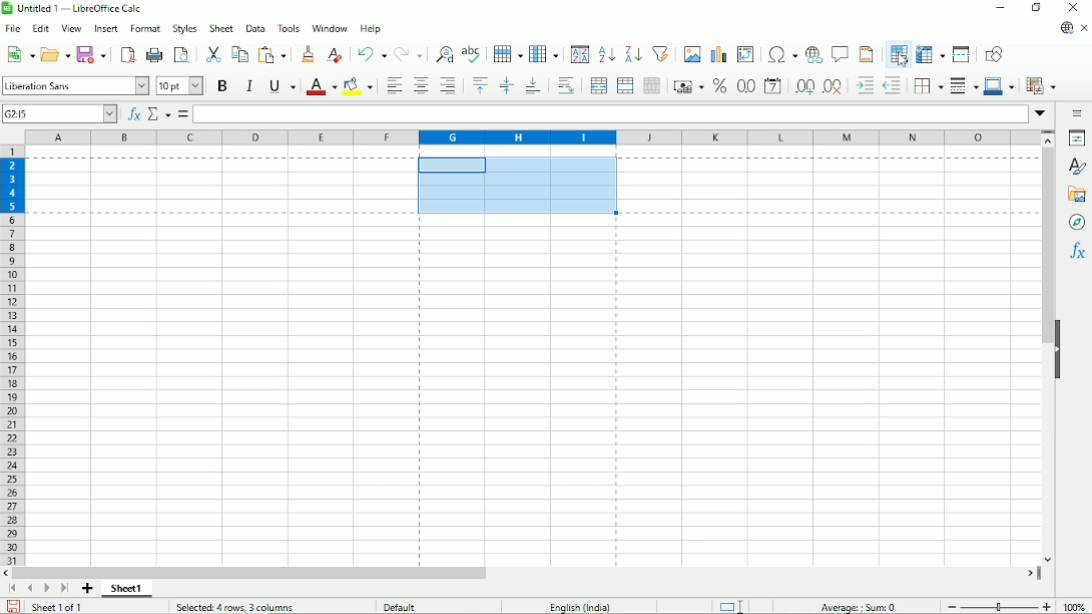 The width and height of the screenshot is (1092, 614). What do you see at coordinates (371, 29) in the screenshot?
I see `Help` at bounding box center [371, 29].